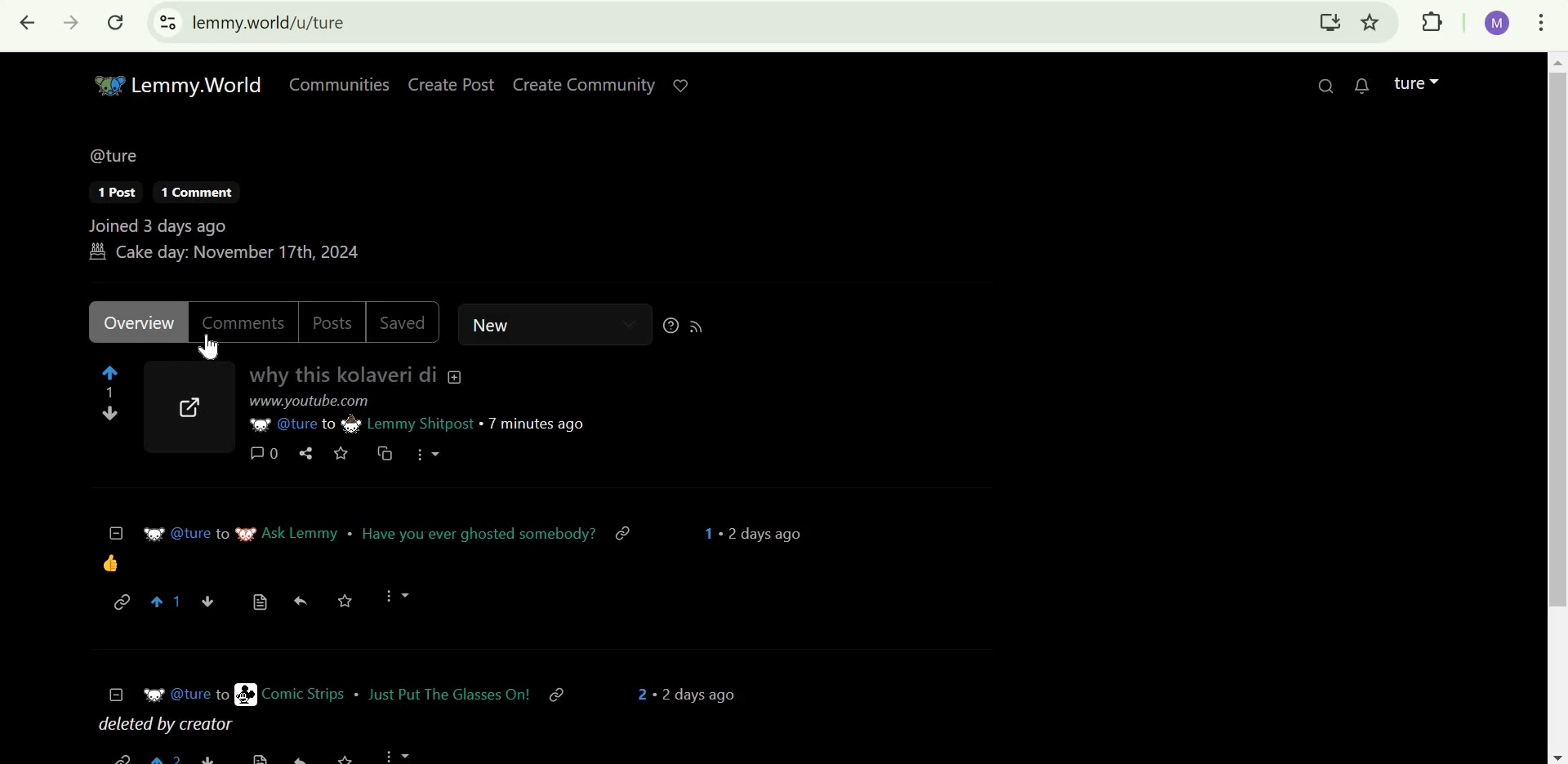 The width and height of the screenshot is (1568, 764). Describe the element at coordinates (169, 602) in the screenshot. I see `upvote` at that location.